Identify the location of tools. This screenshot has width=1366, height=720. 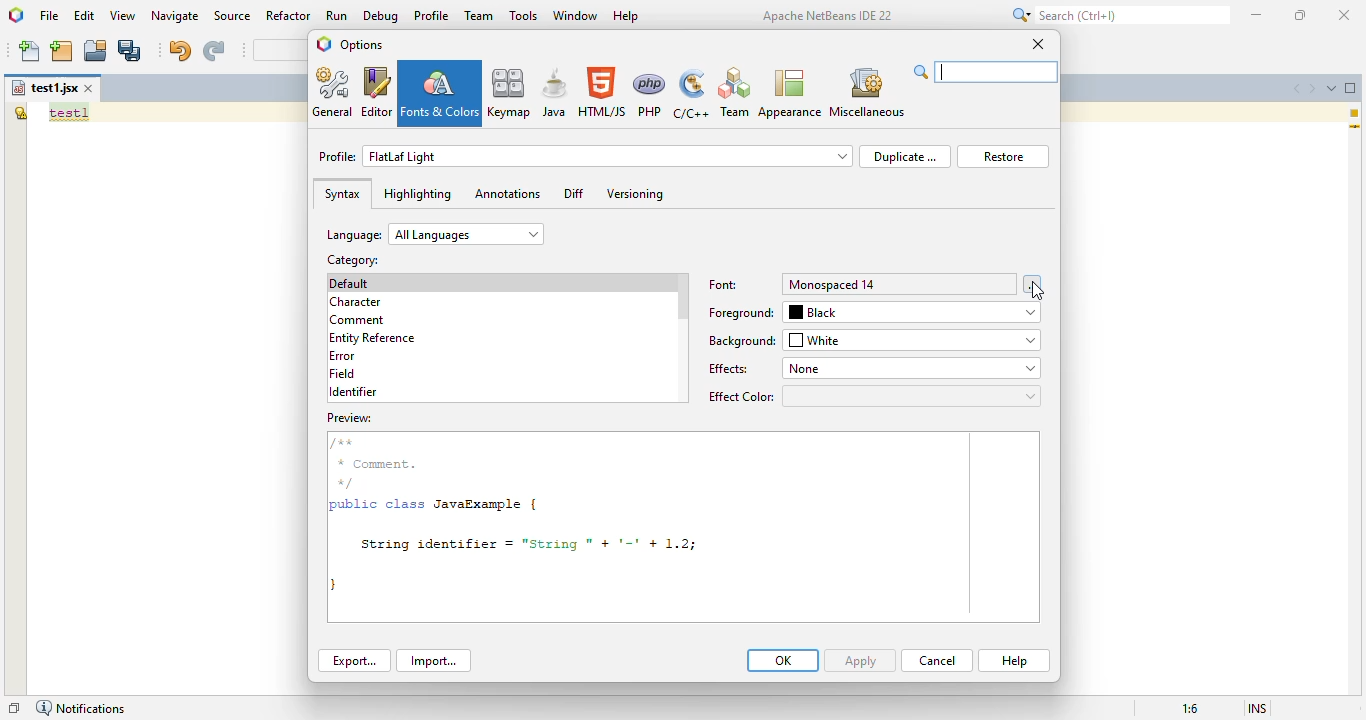
(523, 16).